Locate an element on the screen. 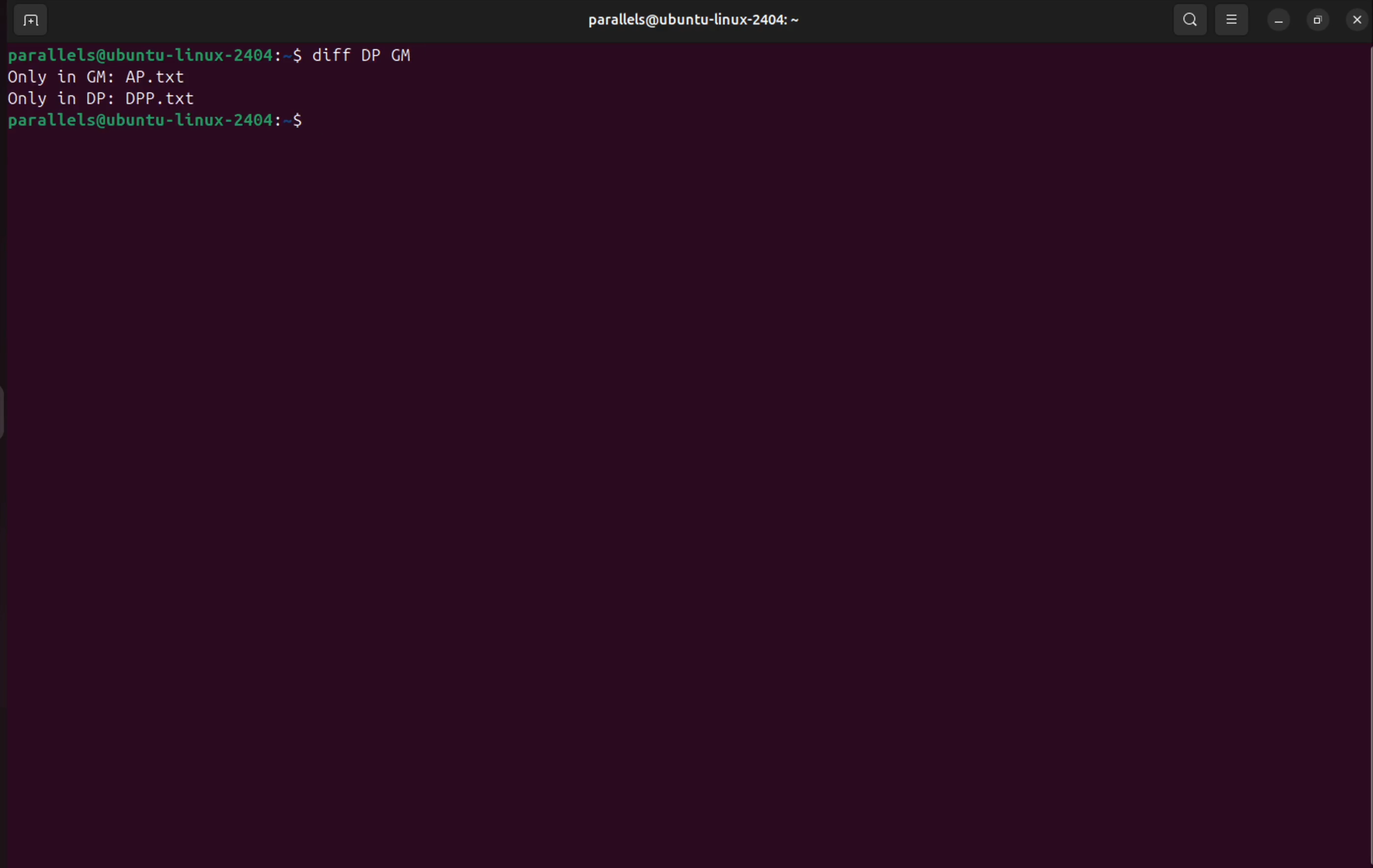 This screenshot has height=868, width=1373. bash prompt is located at coordinates (178, 125).